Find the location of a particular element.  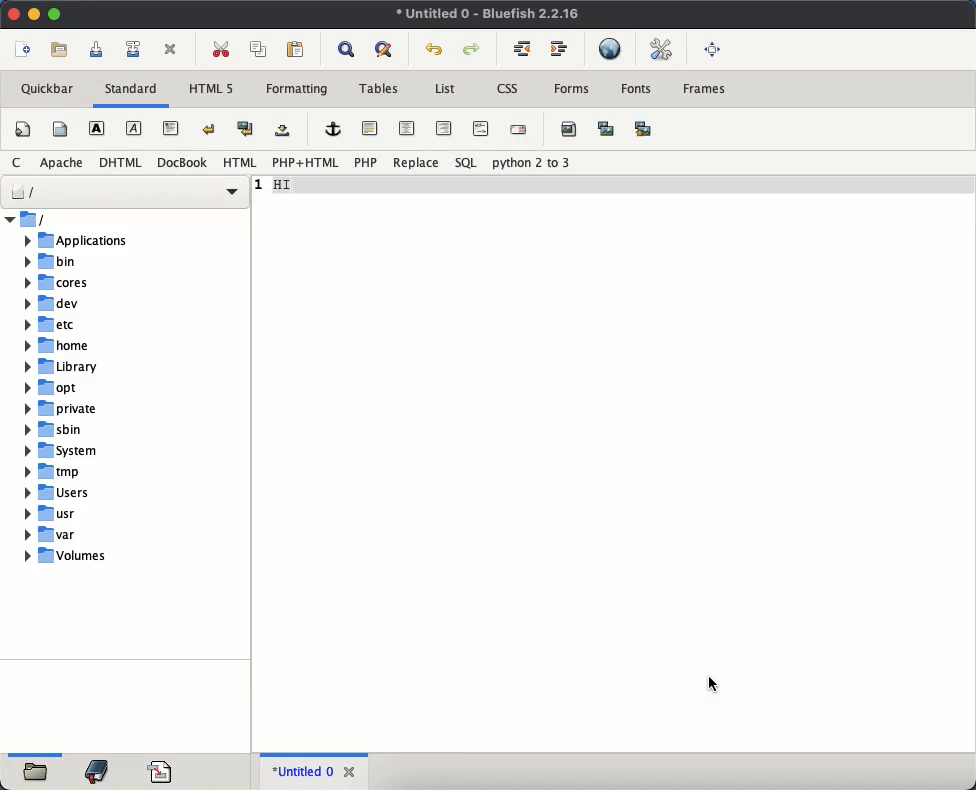

new file is located at coordinates (26, 50).